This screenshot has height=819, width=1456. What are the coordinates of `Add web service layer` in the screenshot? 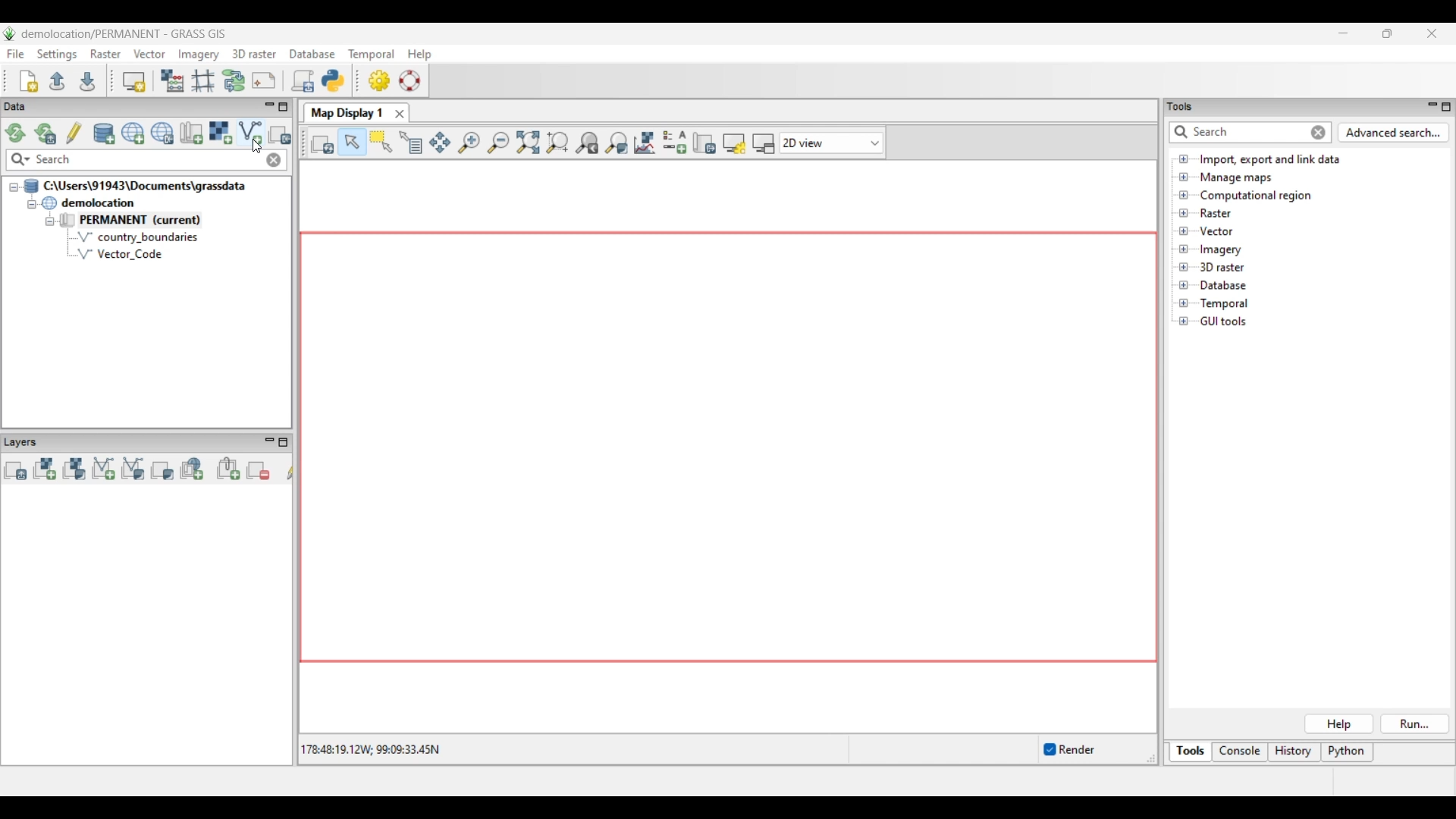 It's located at (192, 469).